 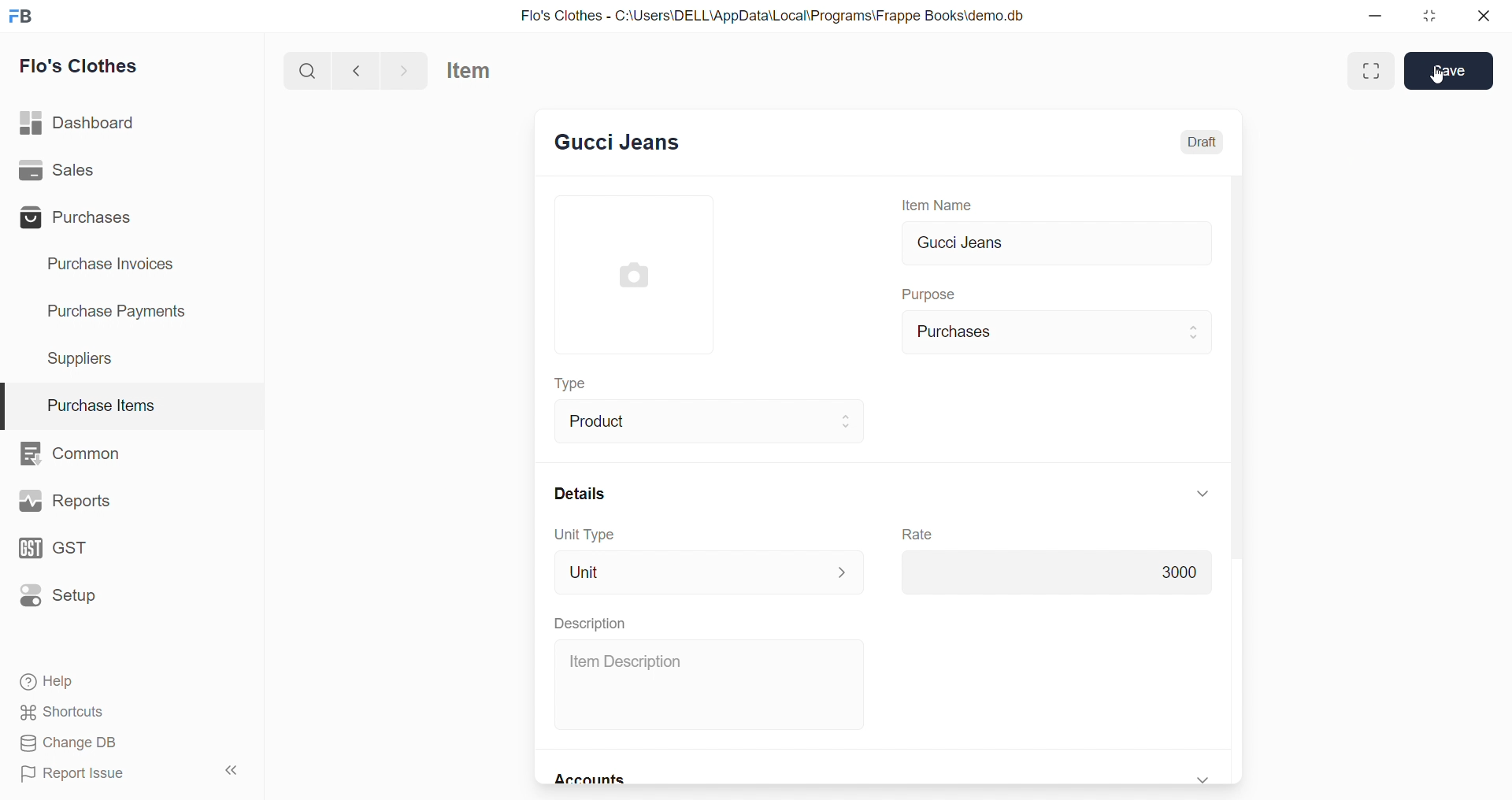 What do you see at coordinates (941, 204) in the screenshot?
I see `Item Name` at bounding box center [941, 204].